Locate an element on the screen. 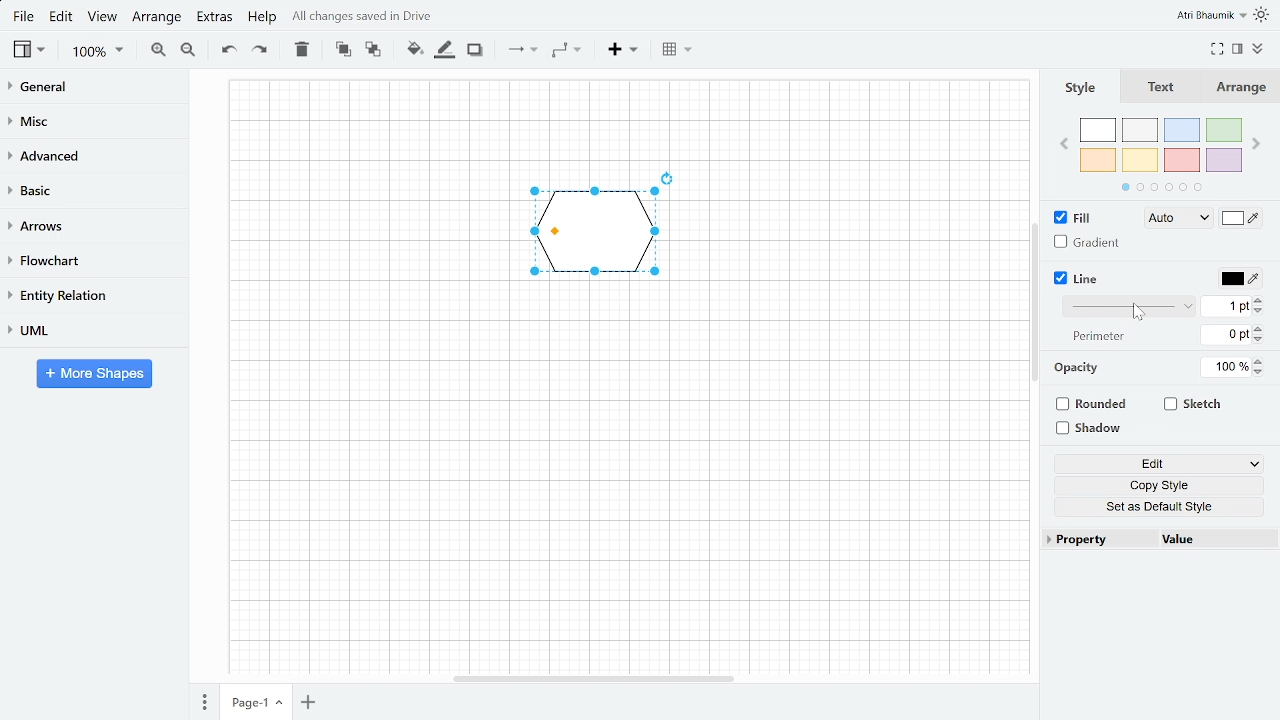   Entity relation is located at coordinates (89, 295).